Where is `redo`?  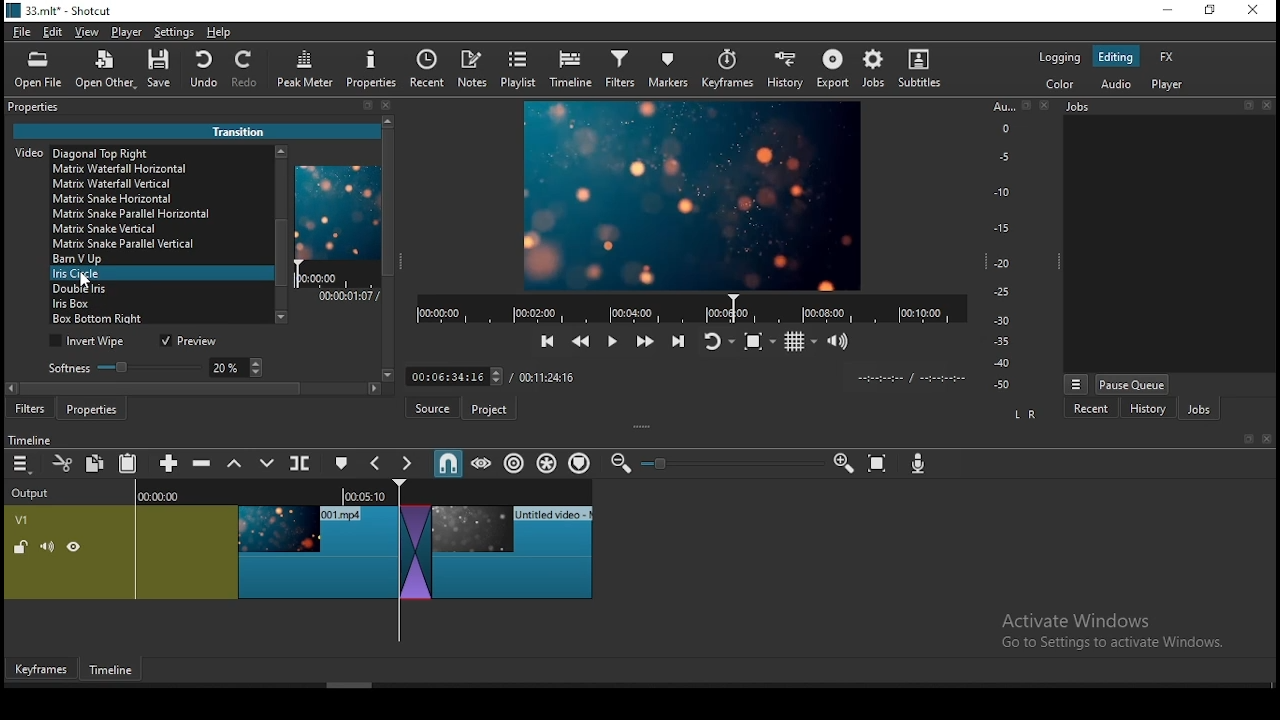 redo is located at coordinates (248, 72).